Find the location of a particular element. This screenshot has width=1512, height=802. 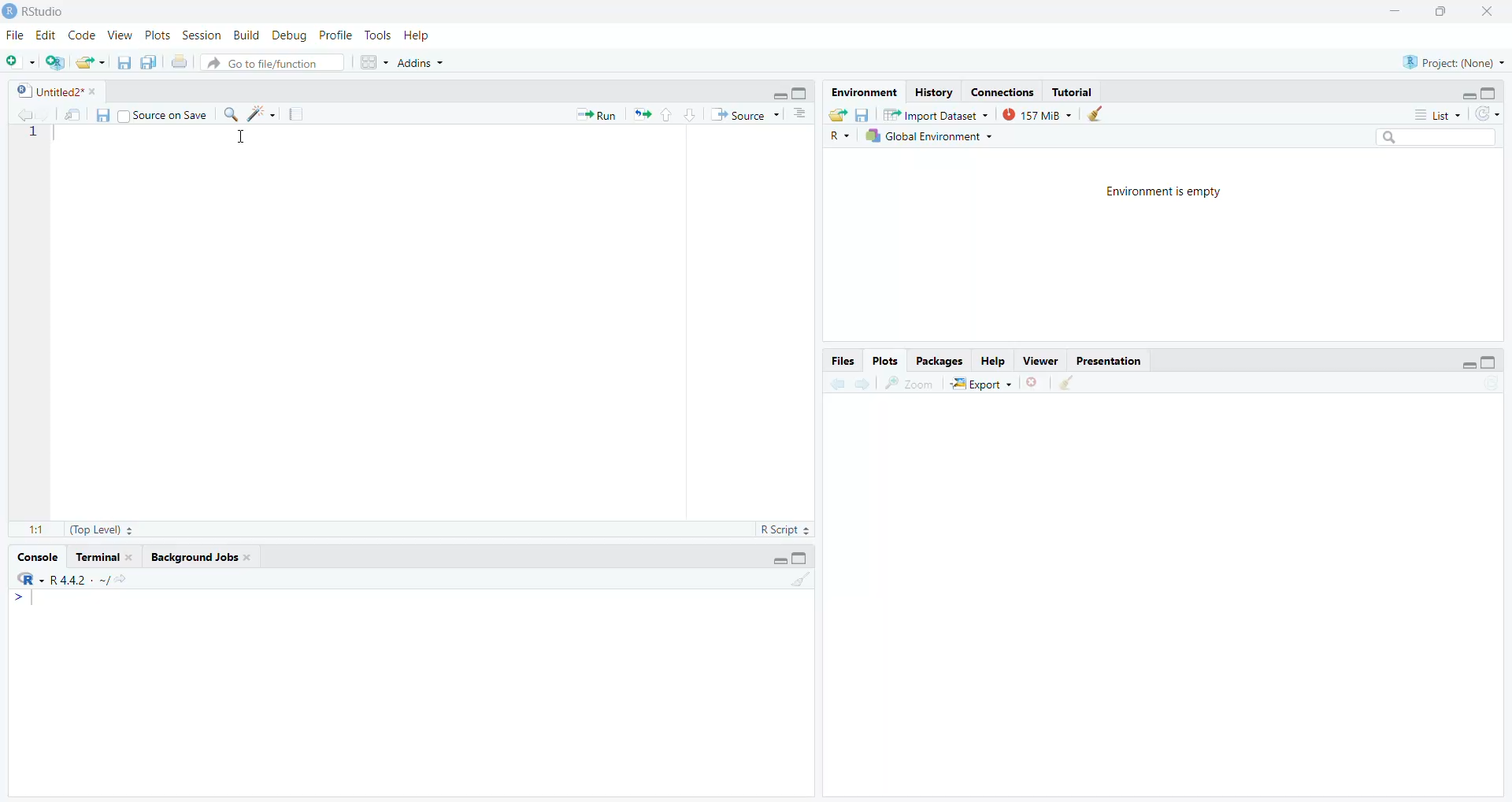

go to previous section/chunk is located at coordinates (665, 115).